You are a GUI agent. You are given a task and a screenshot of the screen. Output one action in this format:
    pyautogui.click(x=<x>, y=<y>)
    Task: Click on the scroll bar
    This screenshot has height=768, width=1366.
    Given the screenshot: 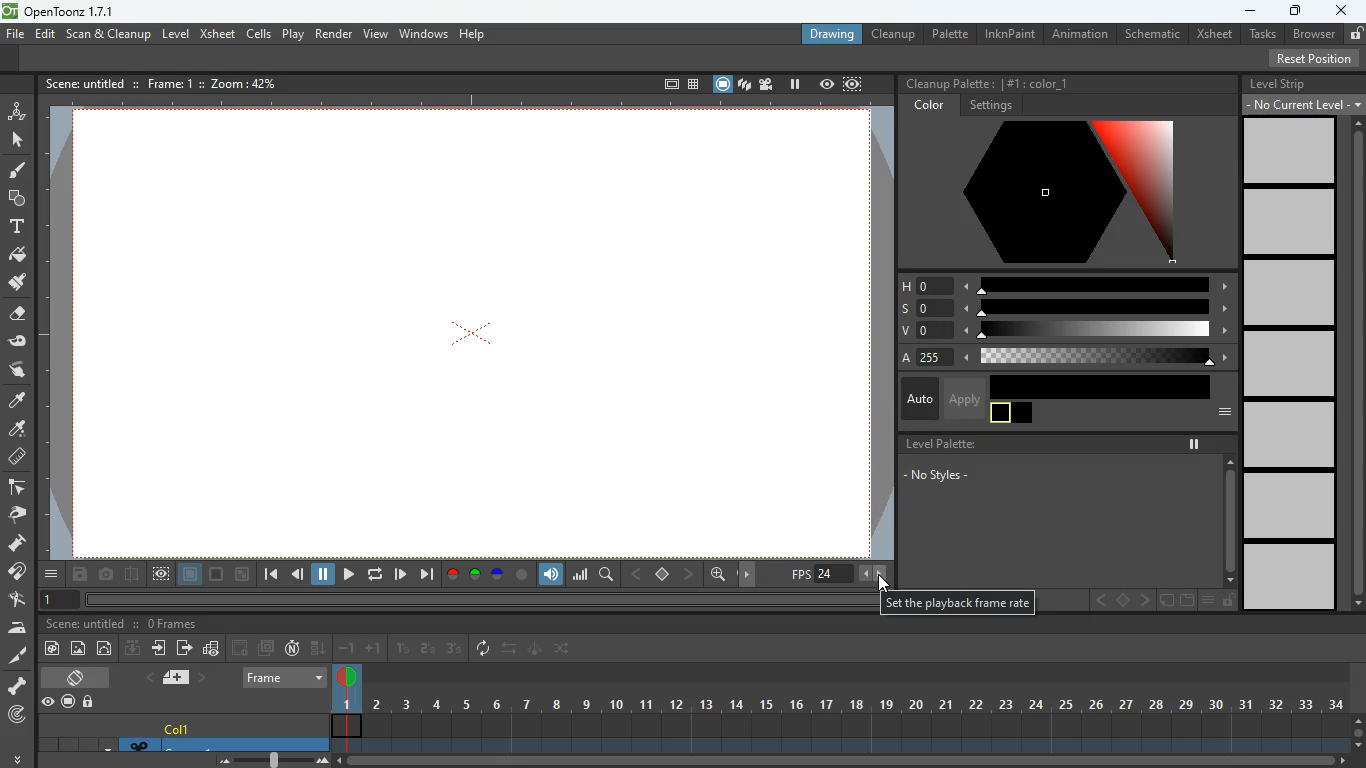 What is the action you would take?
    pyautogui.click(x=1357, y=734)
    